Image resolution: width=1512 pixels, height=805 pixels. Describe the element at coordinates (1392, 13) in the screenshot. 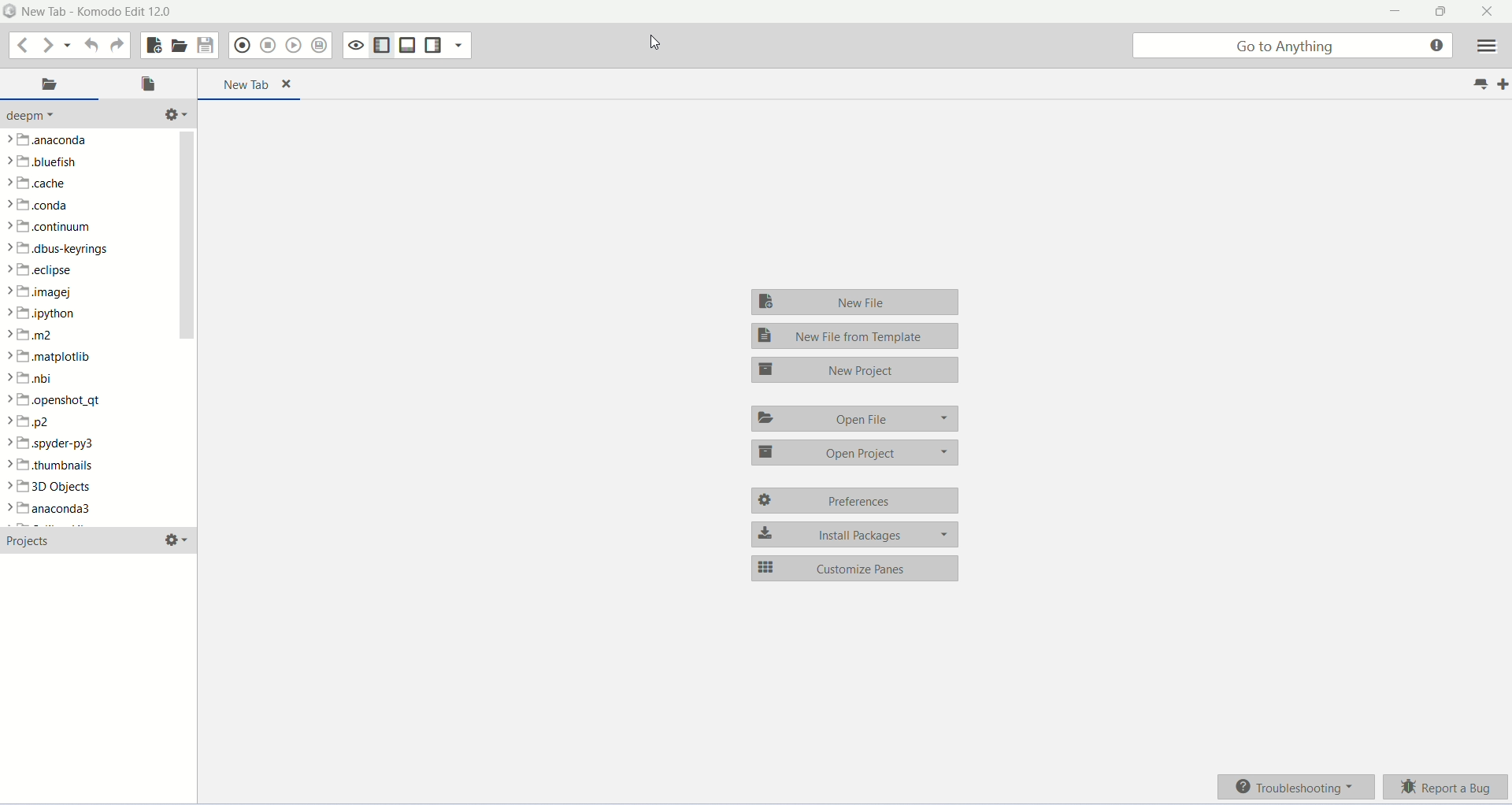

I see `minimize` at that location.